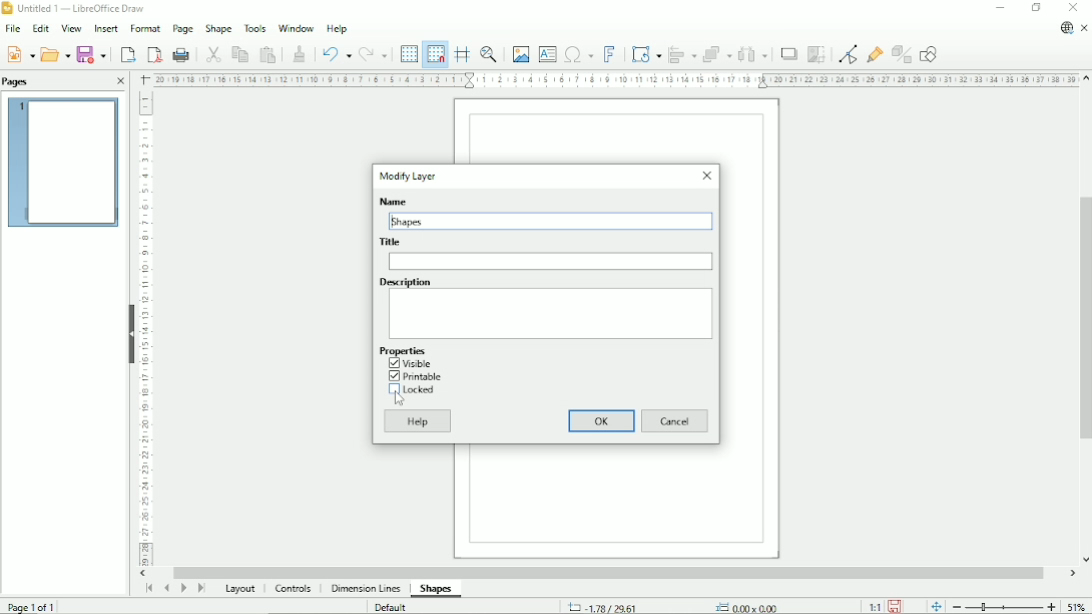 This screenshot has height=614, width=1092. I want to click on Redo, so click(374, 54).